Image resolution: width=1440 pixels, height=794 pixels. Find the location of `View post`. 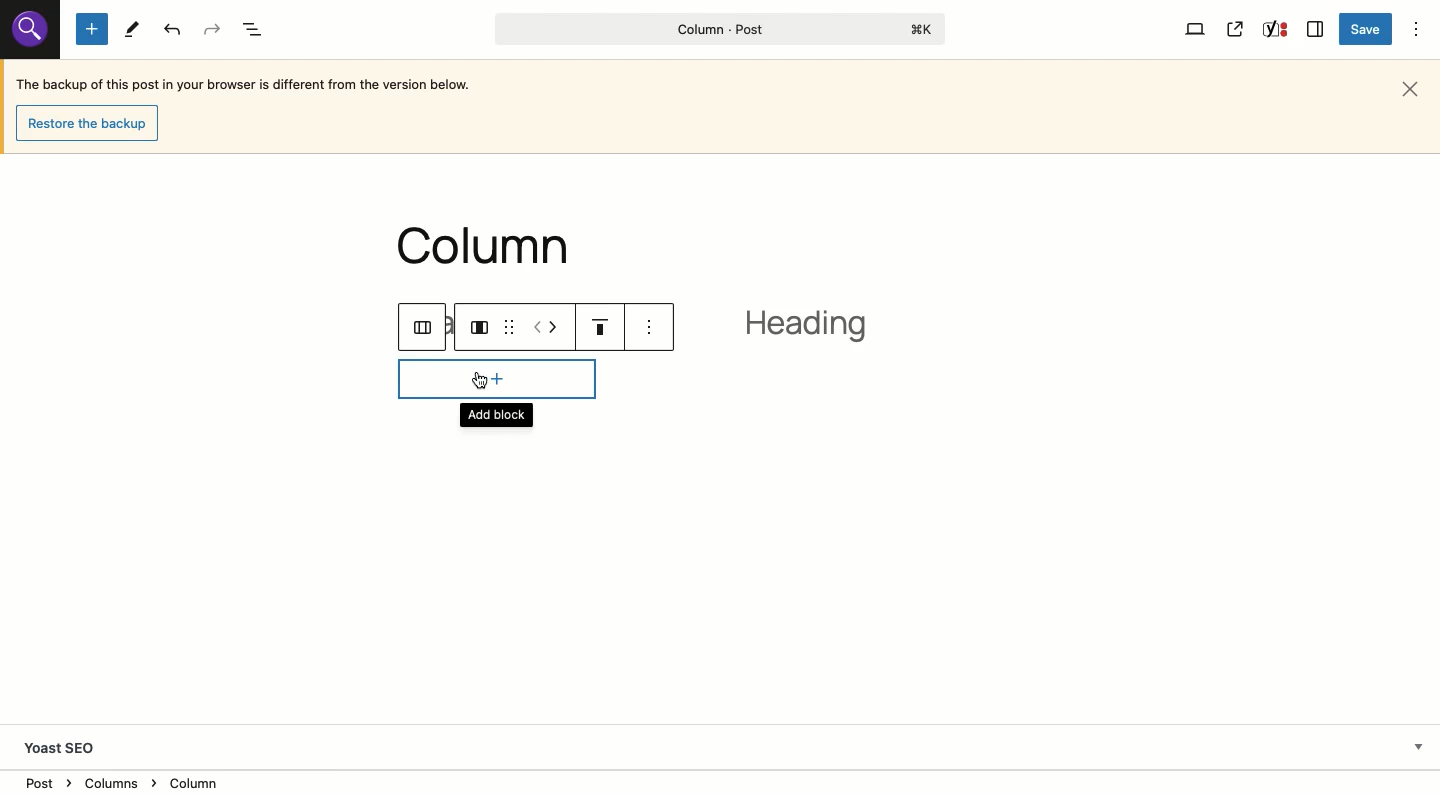

View post is located at coordinates (1236, 29).